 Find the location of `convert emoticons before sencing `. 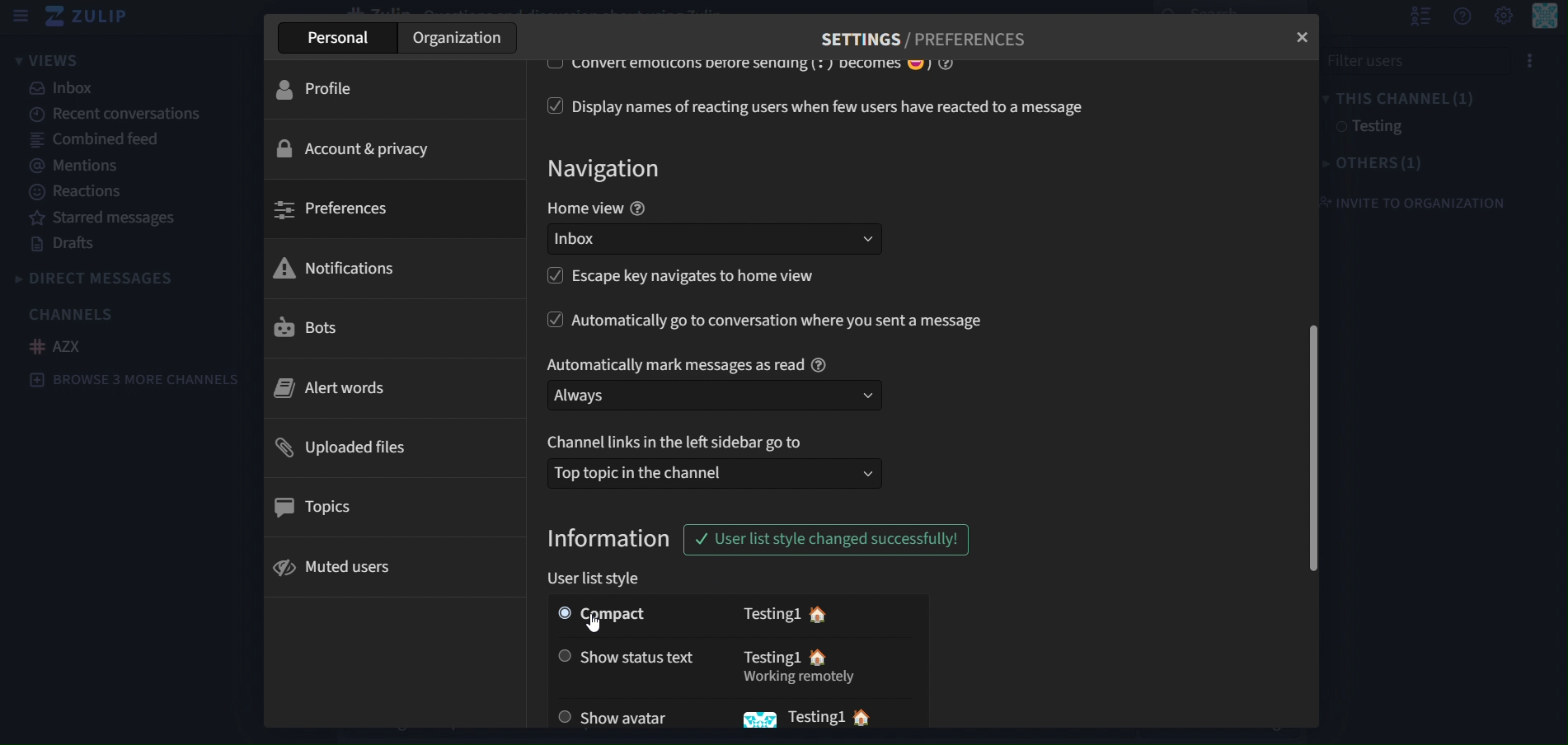

convert emoticons before sencing  is located at coordinates (770, 64).